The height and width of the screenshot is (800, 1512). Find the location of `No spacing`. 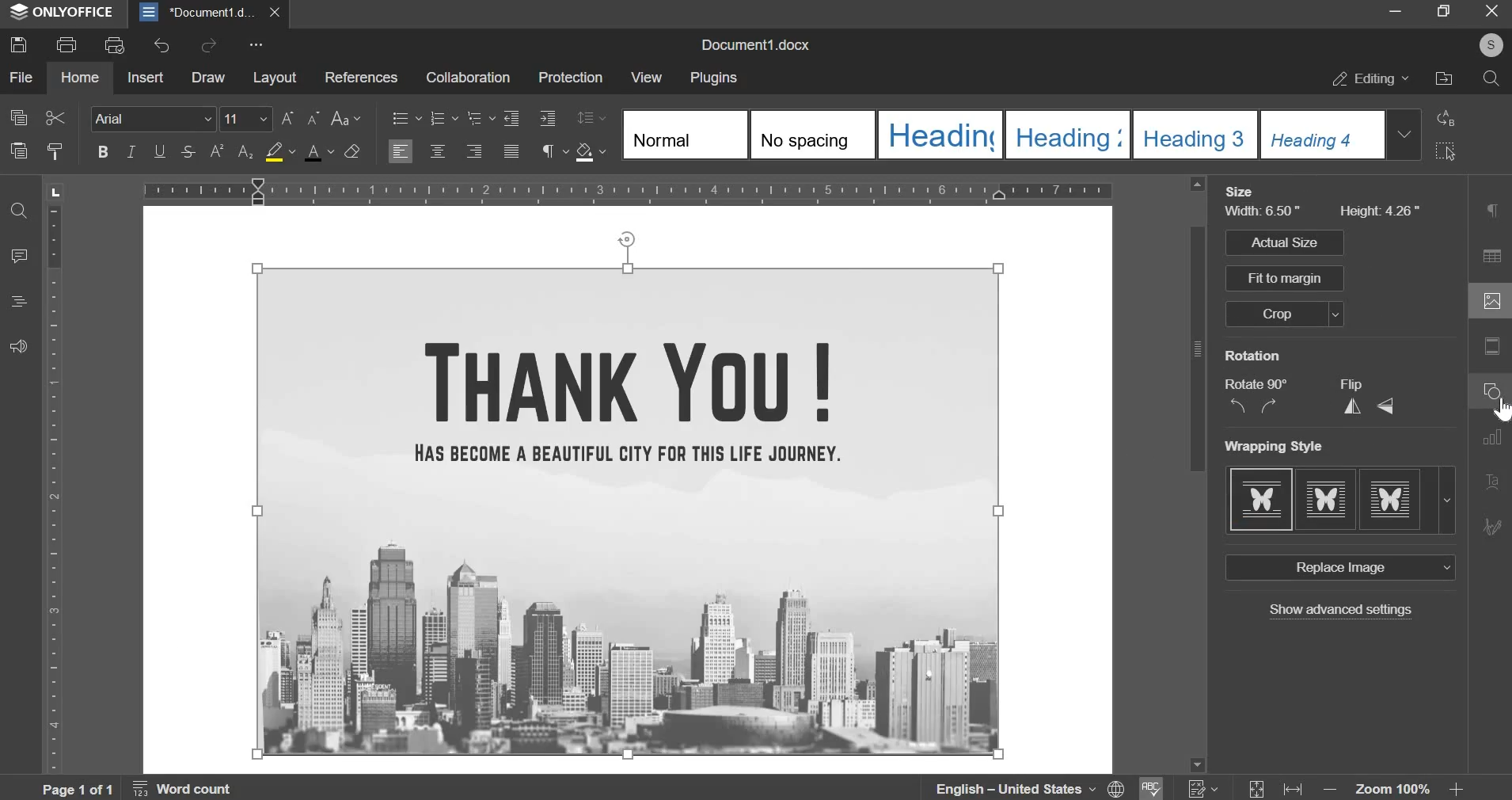

No spacing is located at coordinates (811, 135).